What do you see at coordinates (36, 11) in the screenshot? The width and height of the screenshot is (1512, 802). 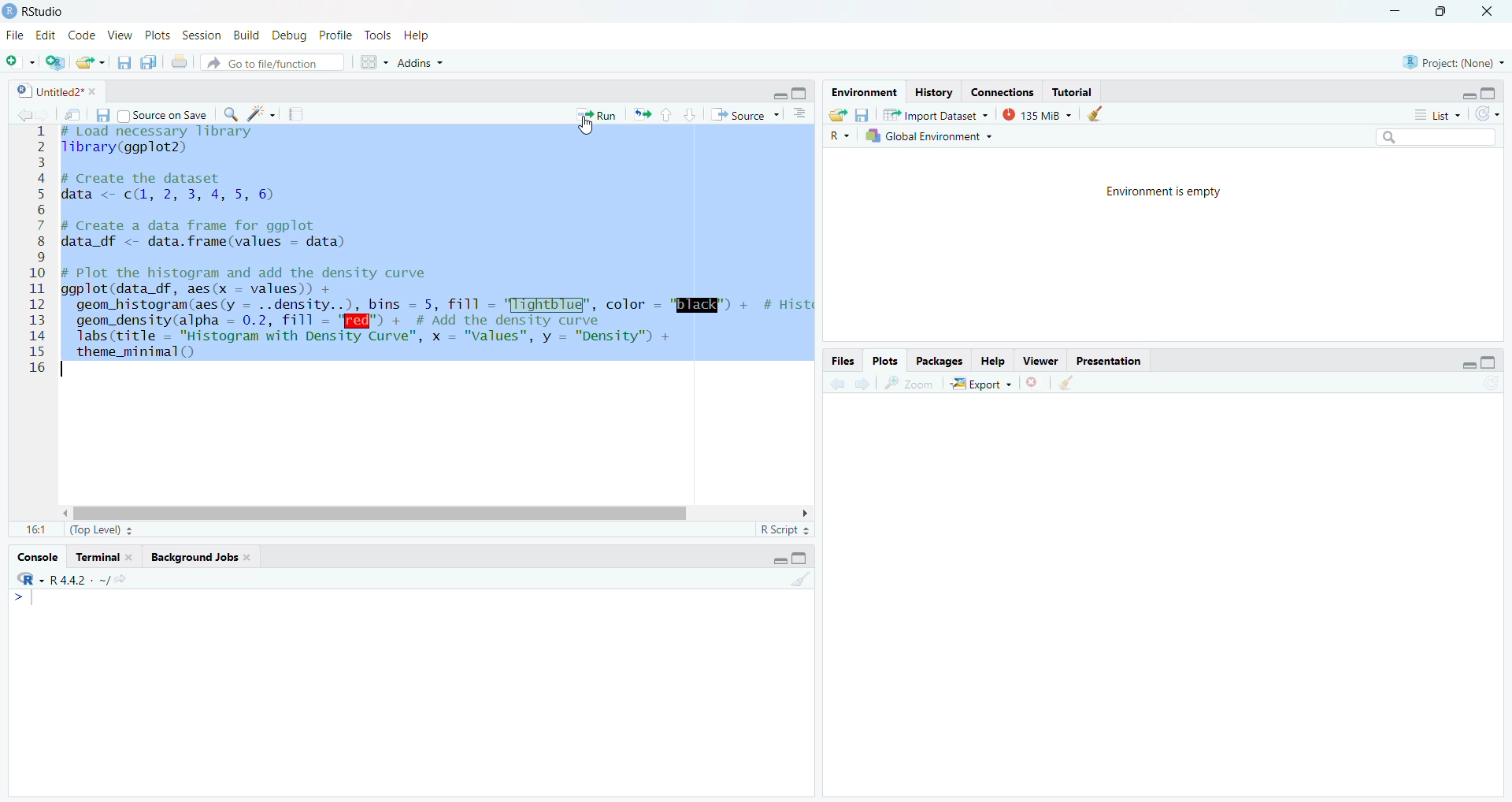 I see `RStudio` at bounding box center [36, 11].